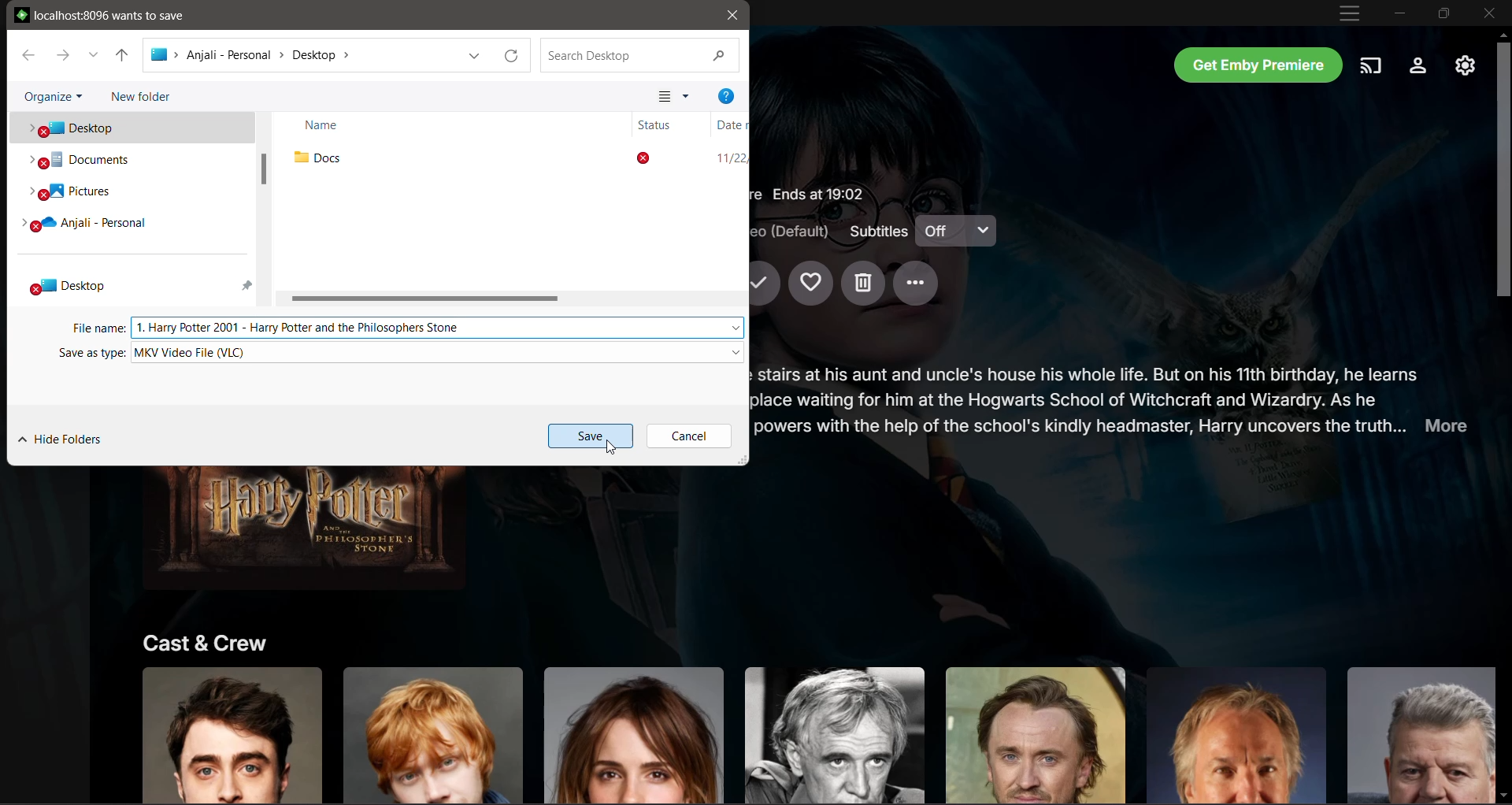  I want to click on Close, so click(732, 17).